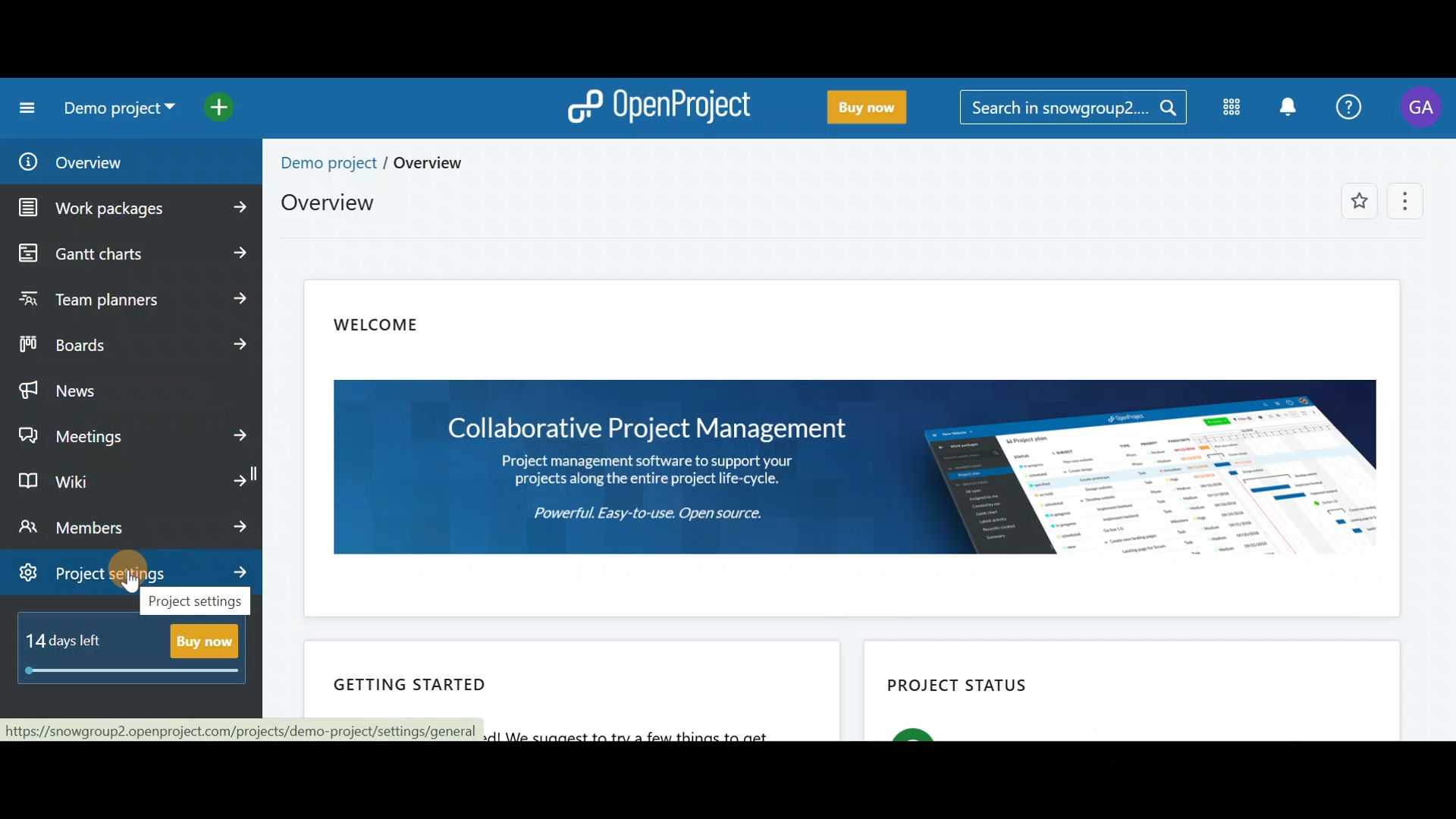  I want to click on Members, so click(133, 526).